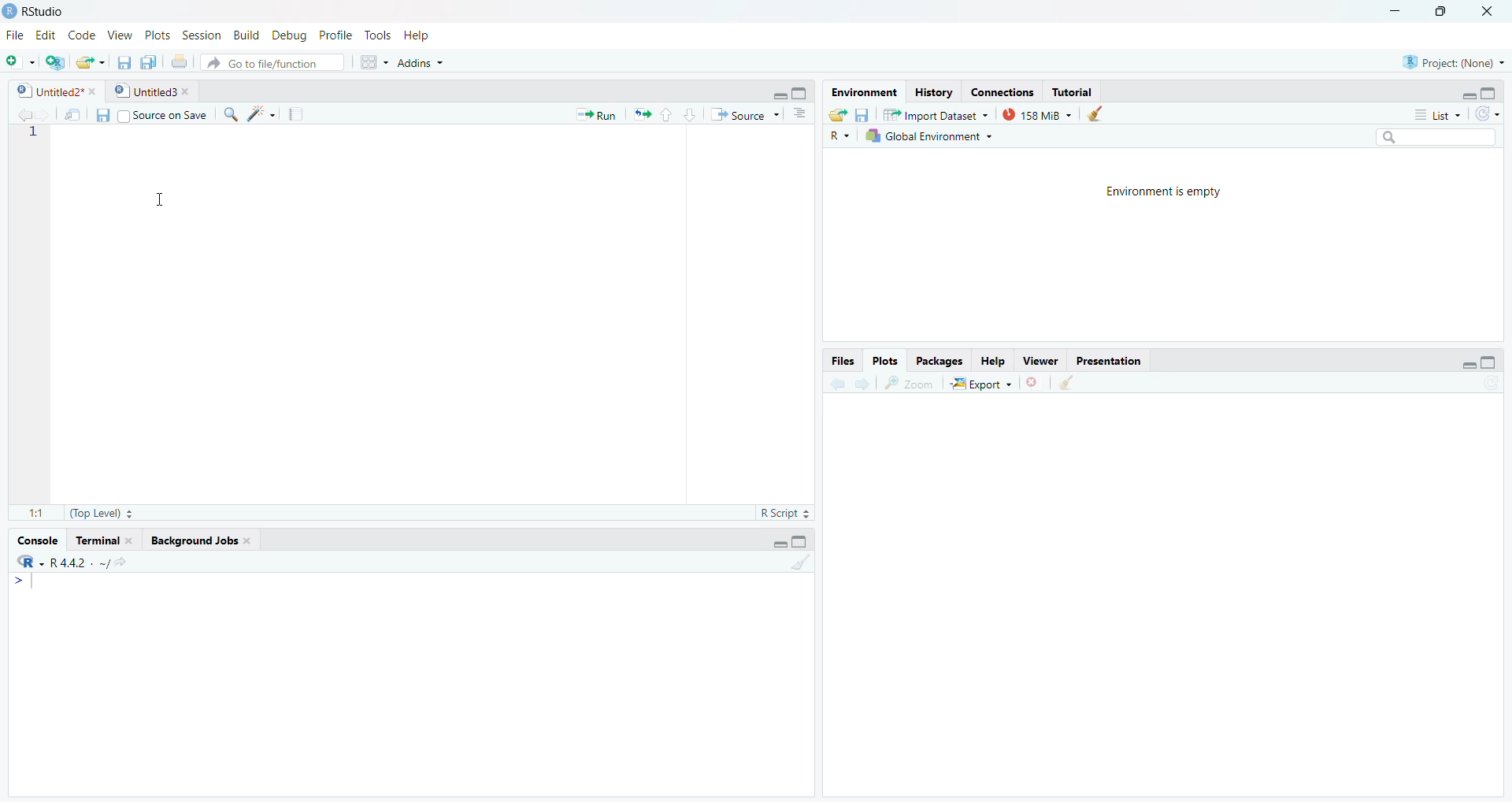  I want to click on Load workspace, so click(837, 113).